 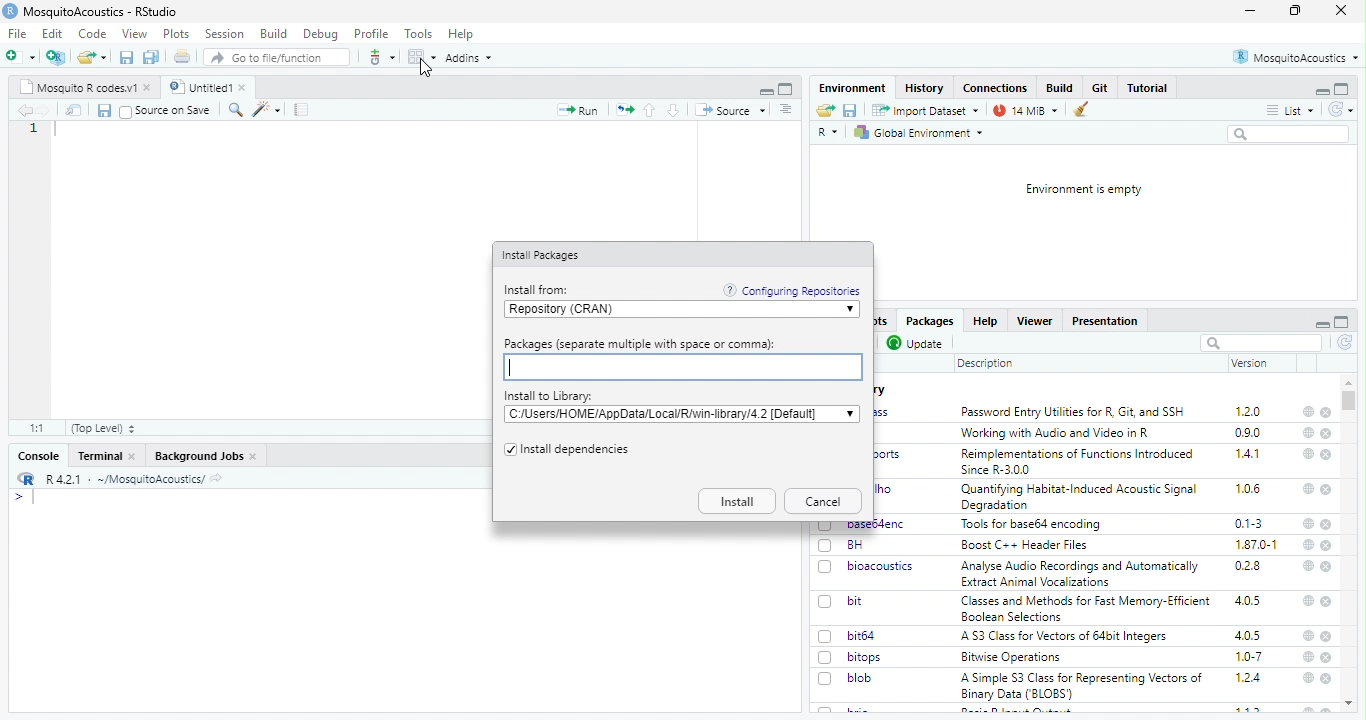 I want to click on Plots, so click(x=178, y=34).